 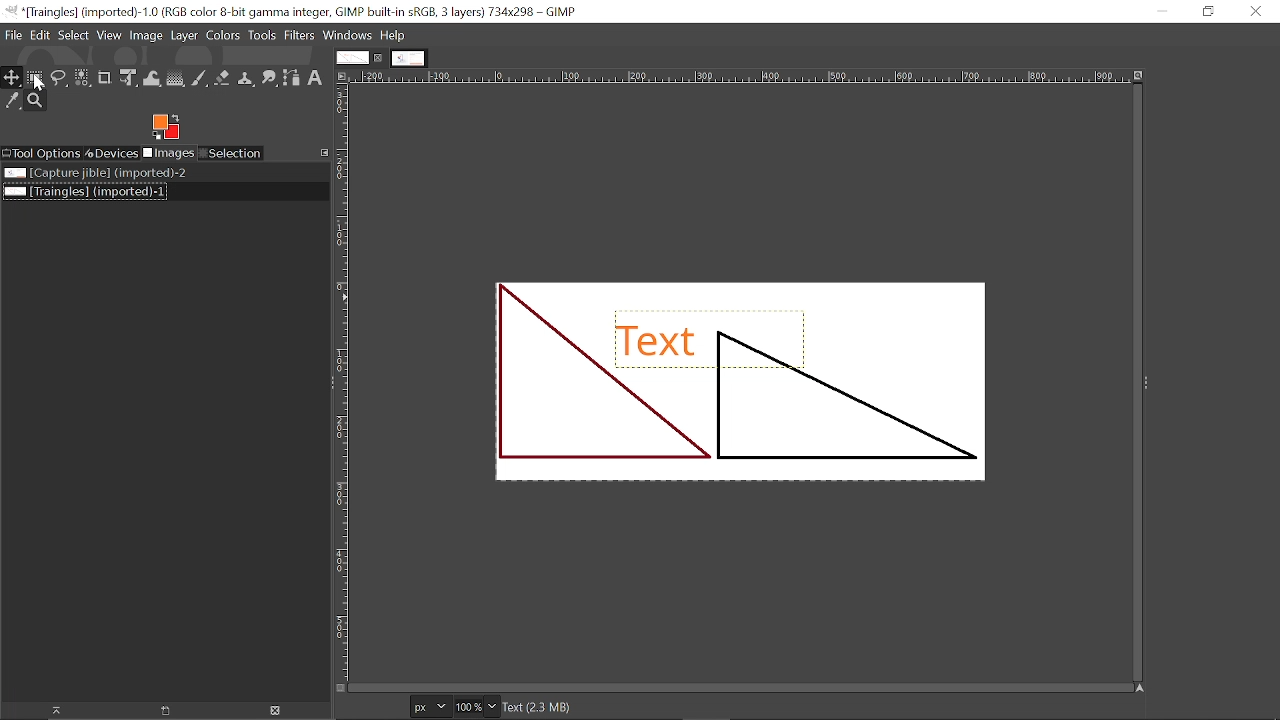 What do you see at coordinates (106, 79) in the screenshot?
I see `Crop tool` at bounding box center [106, 79].